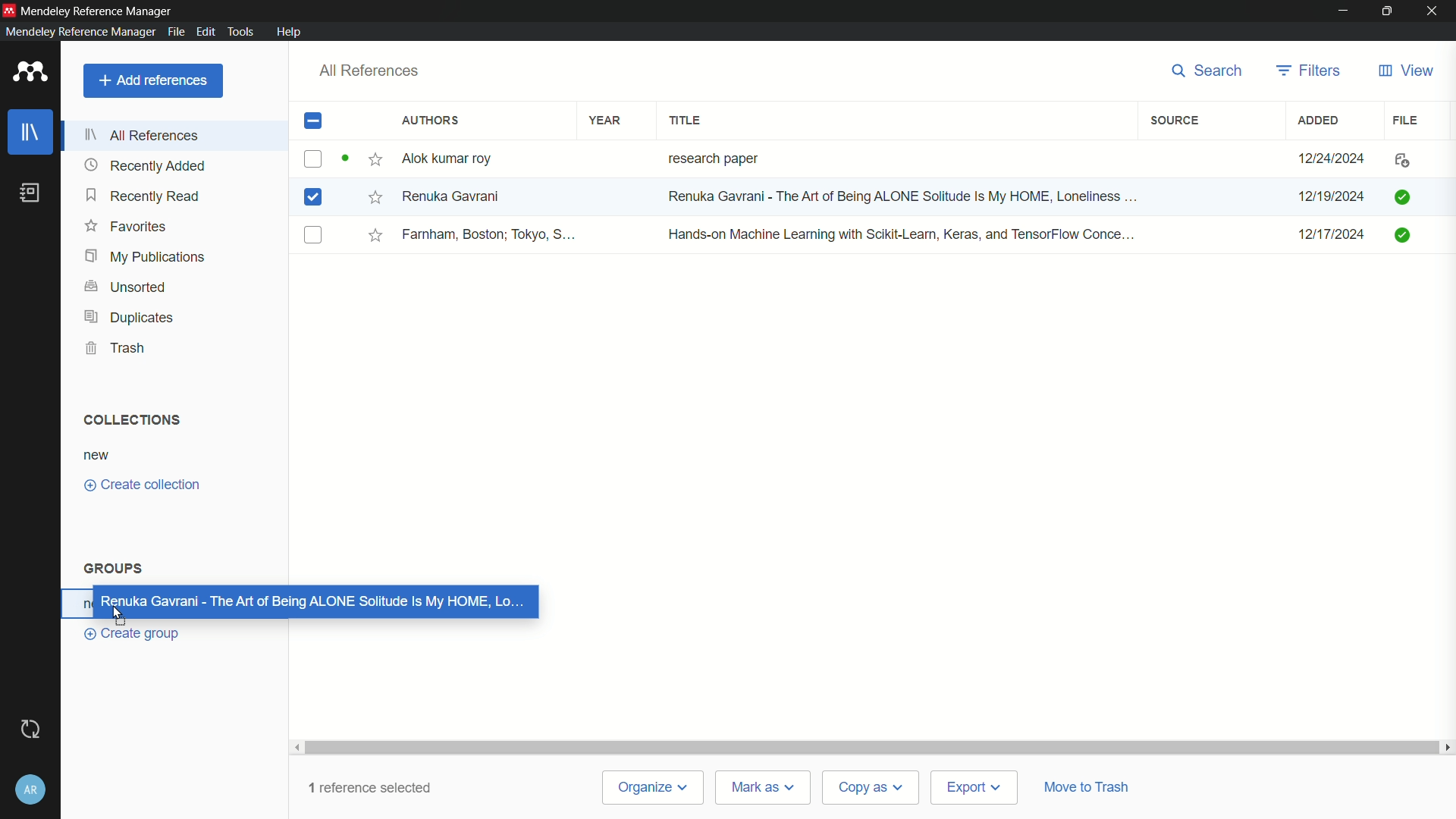  I want to click on sync, so click(29, 730).